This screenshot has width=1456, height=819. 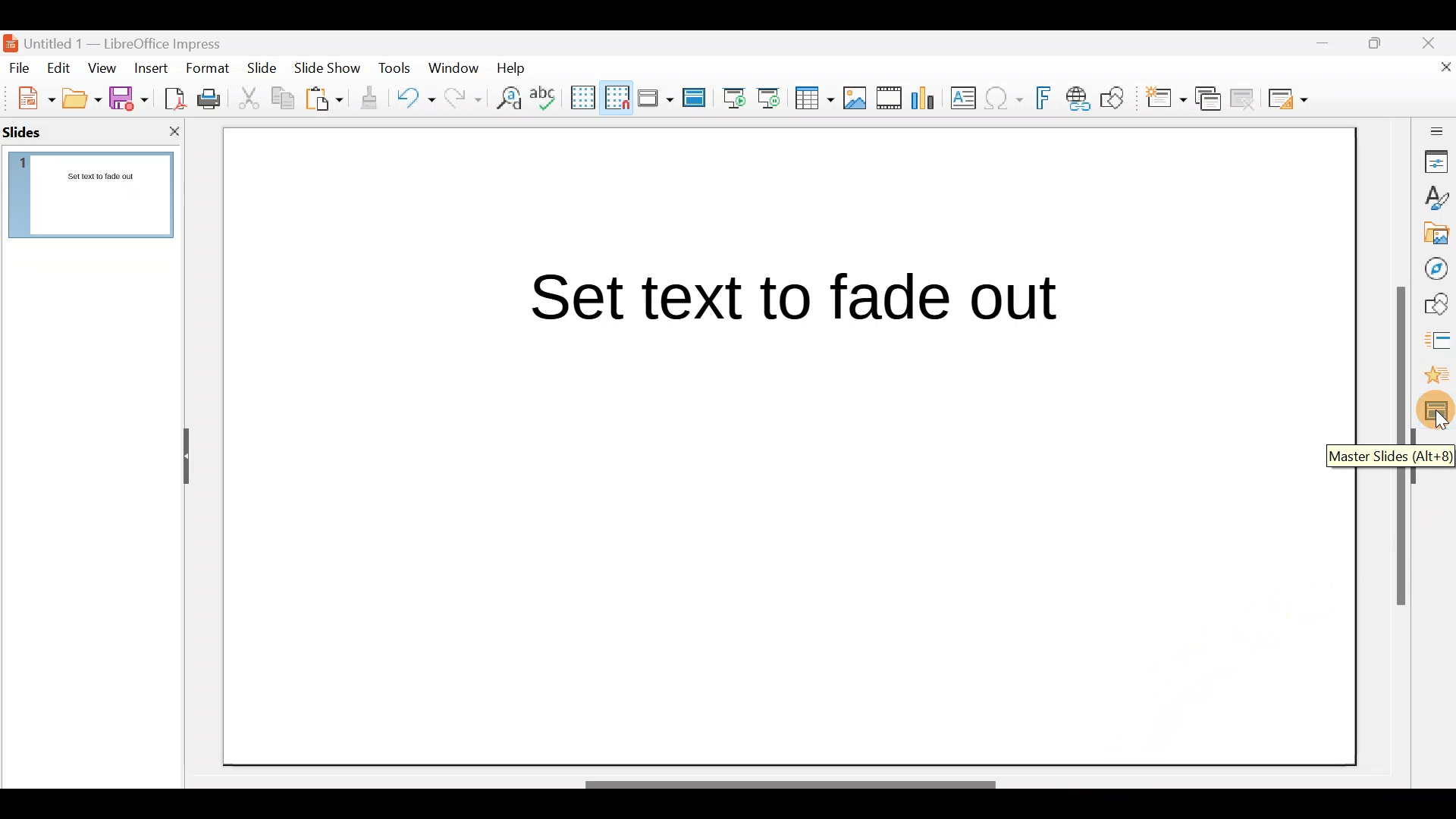 I want to click on Insert image, so click(x=858, y=99).